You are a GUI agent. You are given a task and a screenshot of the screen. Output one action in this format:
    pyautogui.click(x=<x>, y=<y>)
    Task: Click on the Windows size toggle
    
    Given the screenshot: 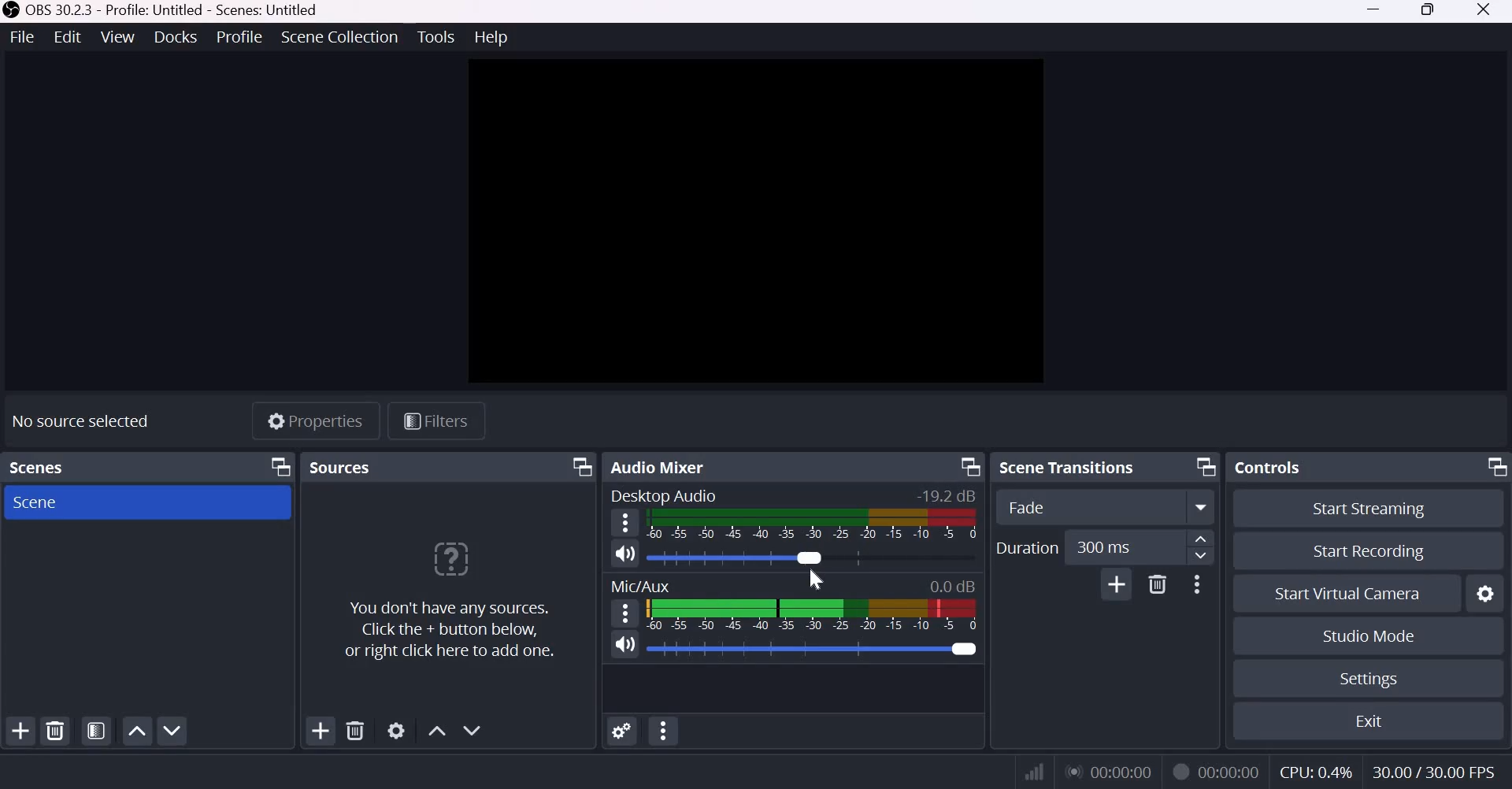 What is the action you would take?
    pyautogui.click(x=1432, y=12)
    